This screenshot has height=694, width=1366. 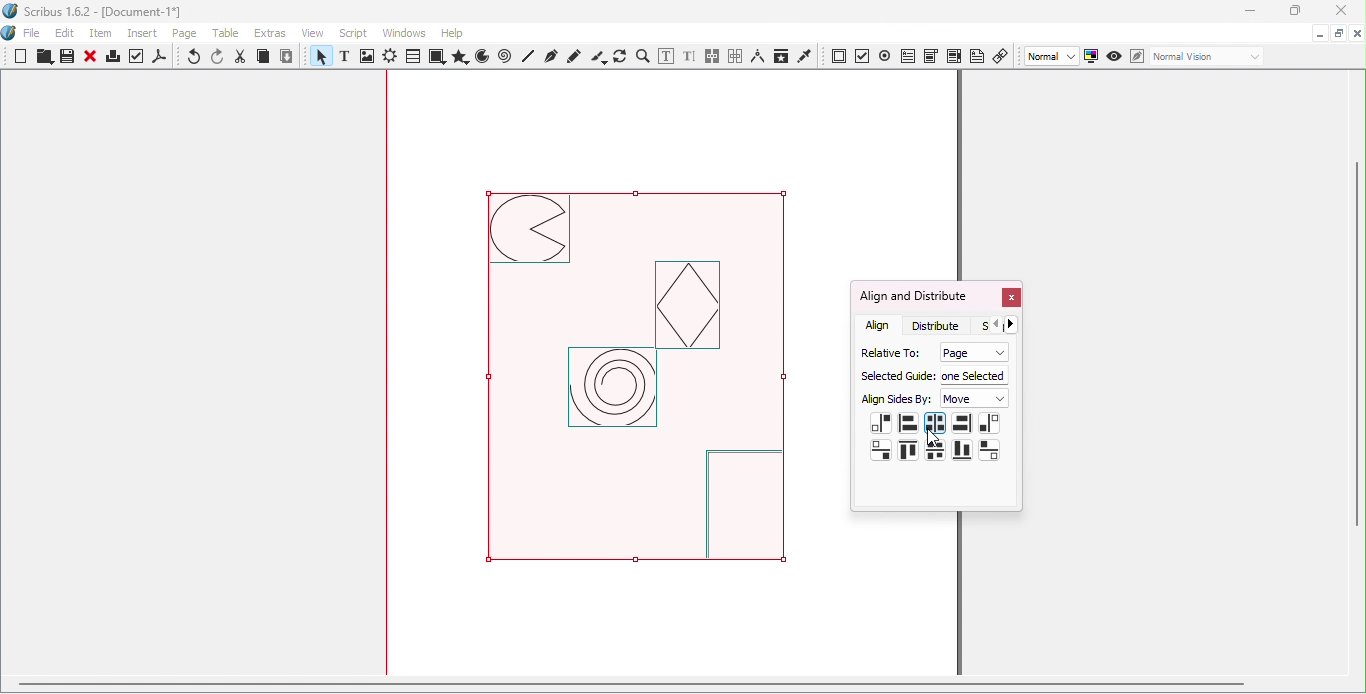 I want to click on Print, so click(x=112, y=59).